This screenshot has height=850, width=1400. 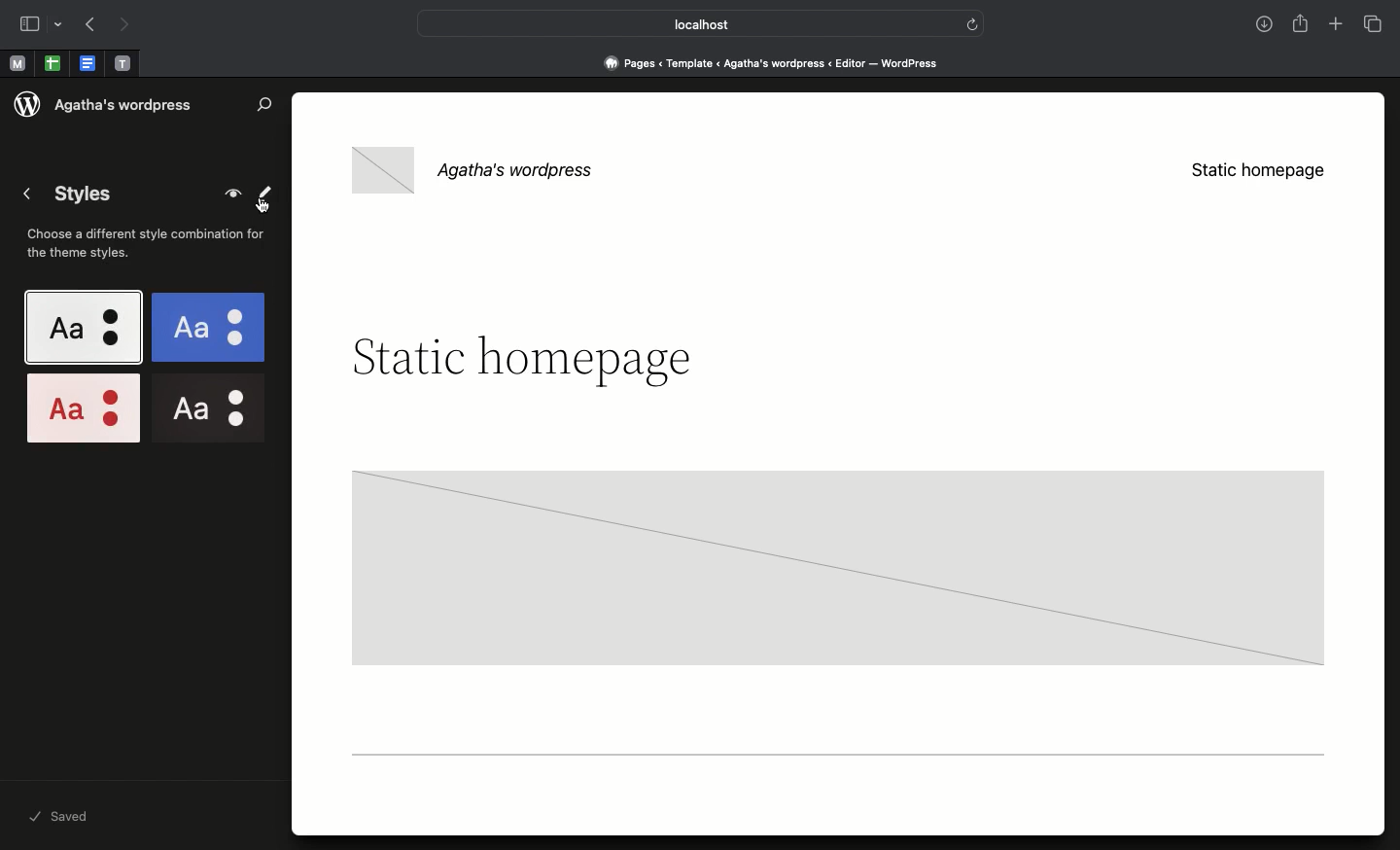 What do you see at coordinates (265, 191) in the screenshot?
I see `Edit` at bounding box center [265, 191].